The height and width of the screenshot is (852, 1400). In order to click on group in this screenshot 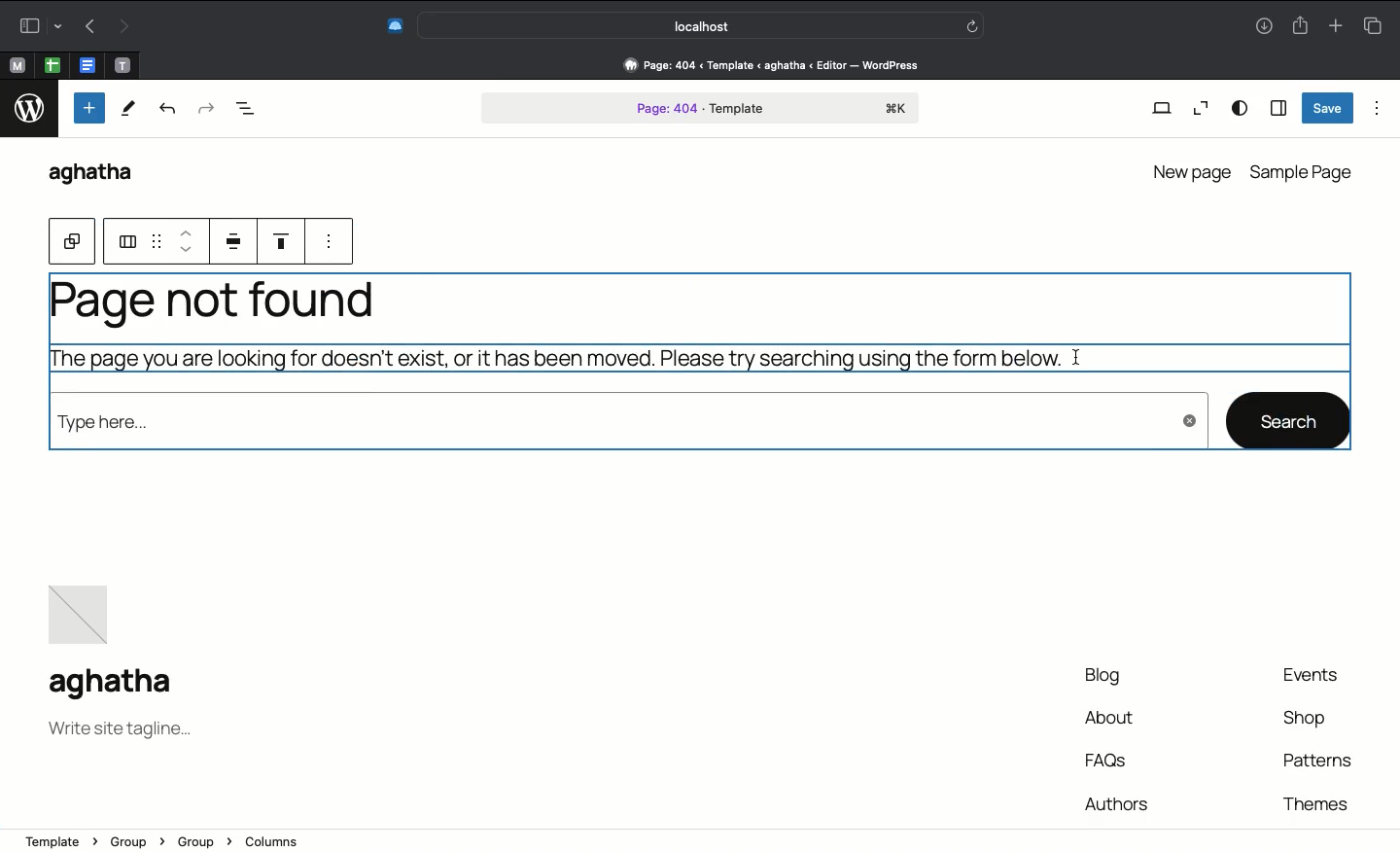, I will do `click(73, 241)`.